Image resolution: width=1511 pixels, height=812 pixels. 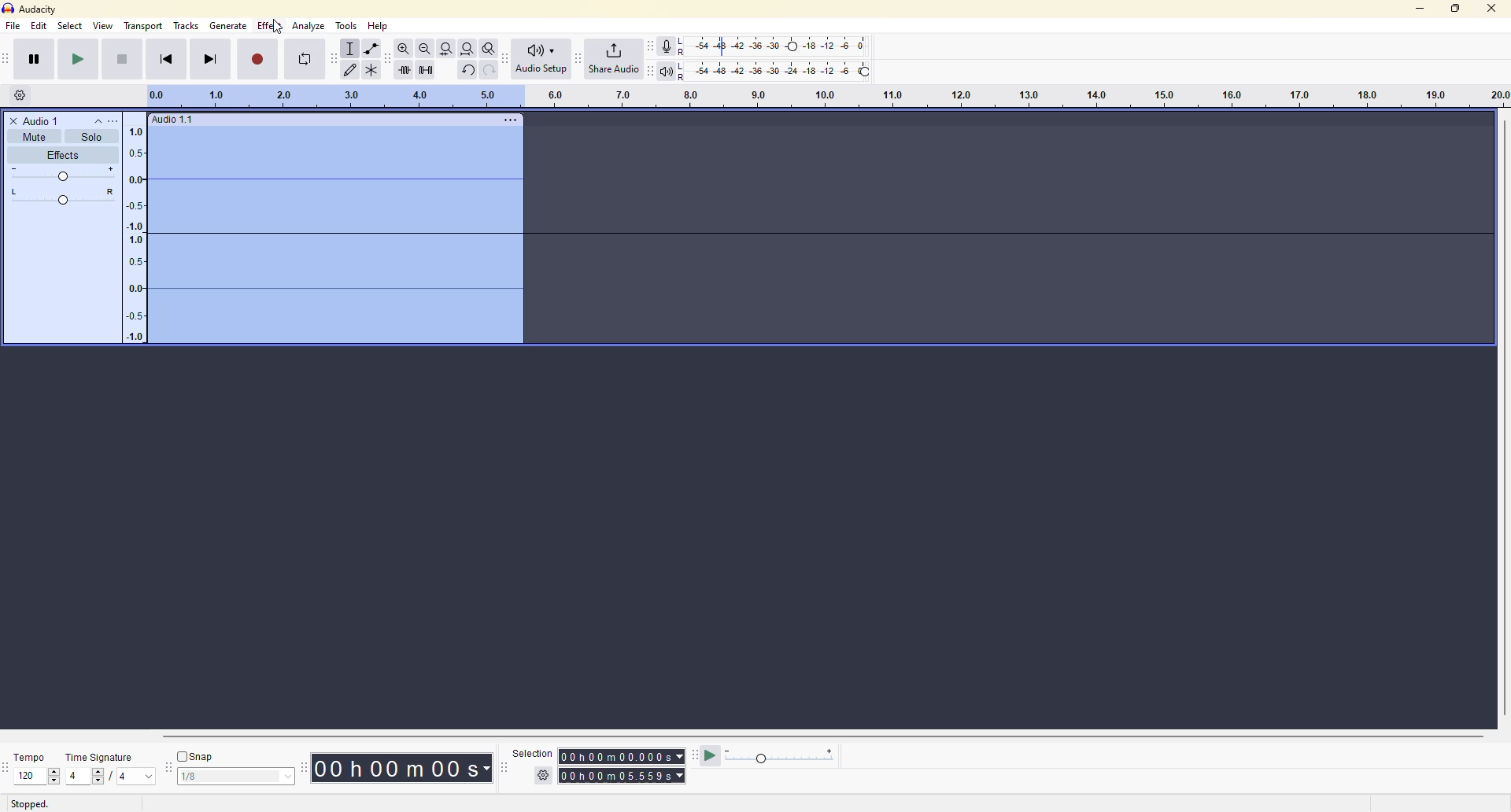 What do you see at coordinates (820, 96) in the screenshot?
I see `click and drag to define looping region` at bounding box center [820, 96].